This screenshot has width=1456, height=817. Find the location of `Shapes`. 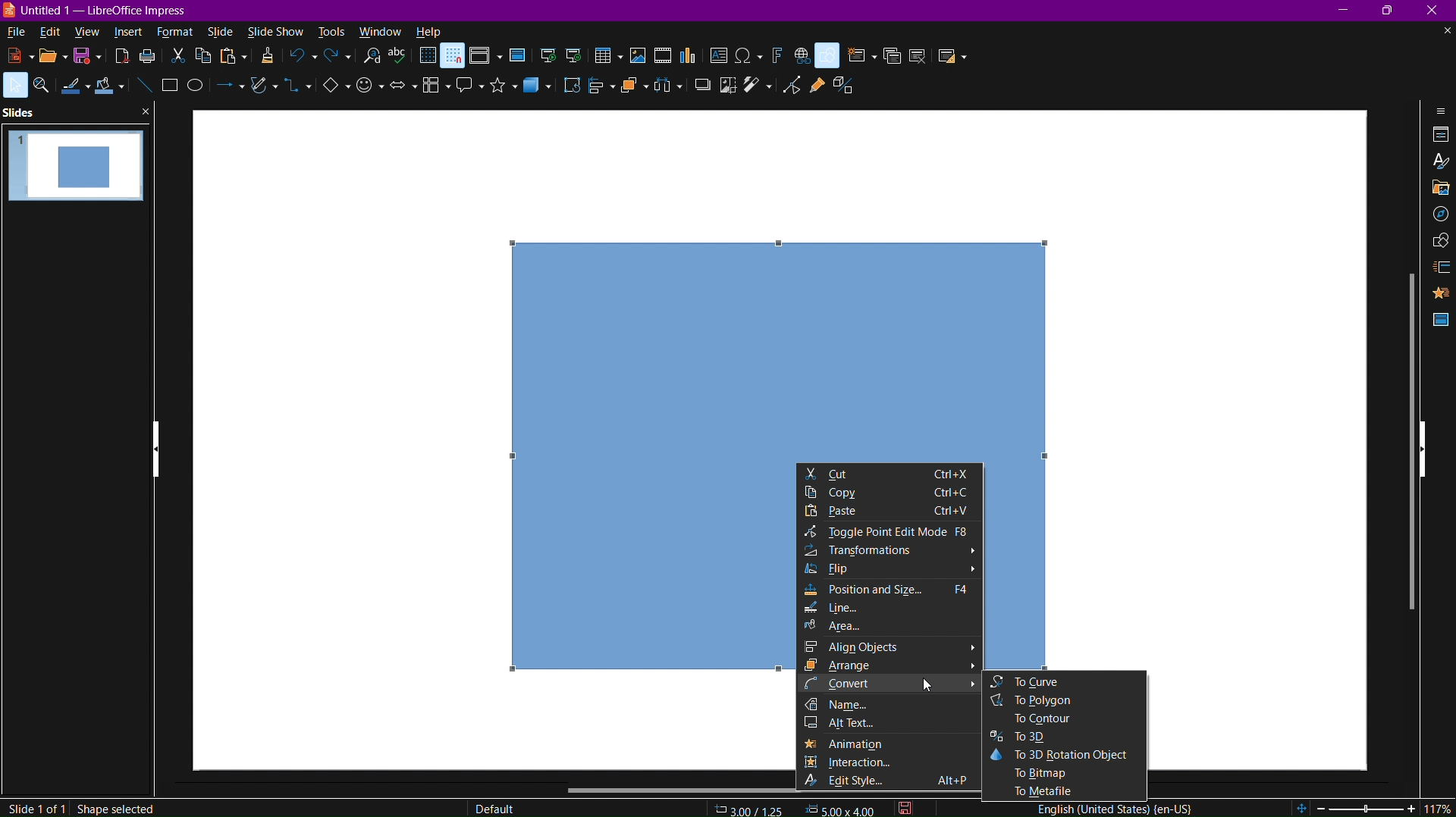

Shapes is located at coordinates (1437, 242).